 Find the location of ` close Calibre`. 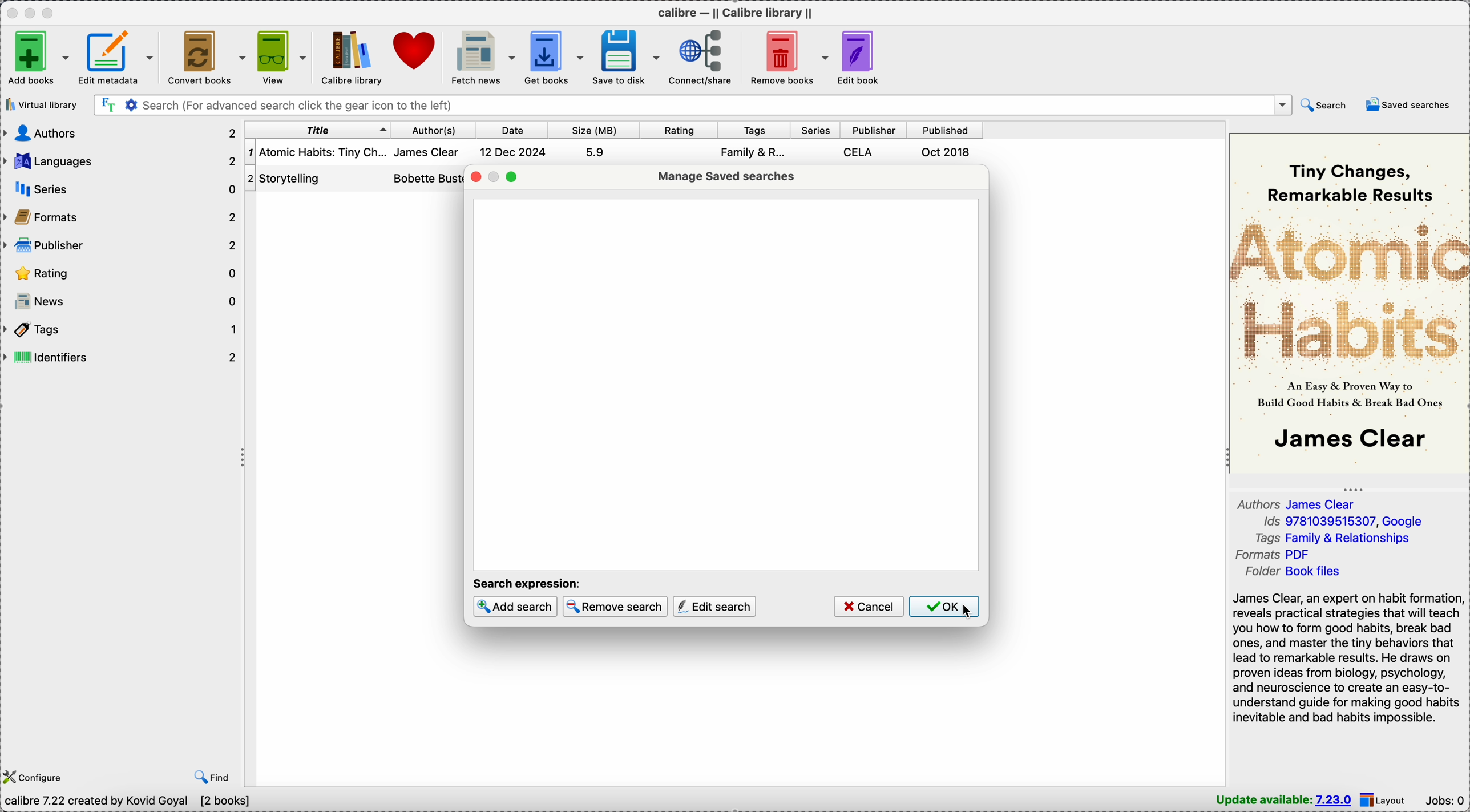

 close Calibre is located at coordinates (11, 13).